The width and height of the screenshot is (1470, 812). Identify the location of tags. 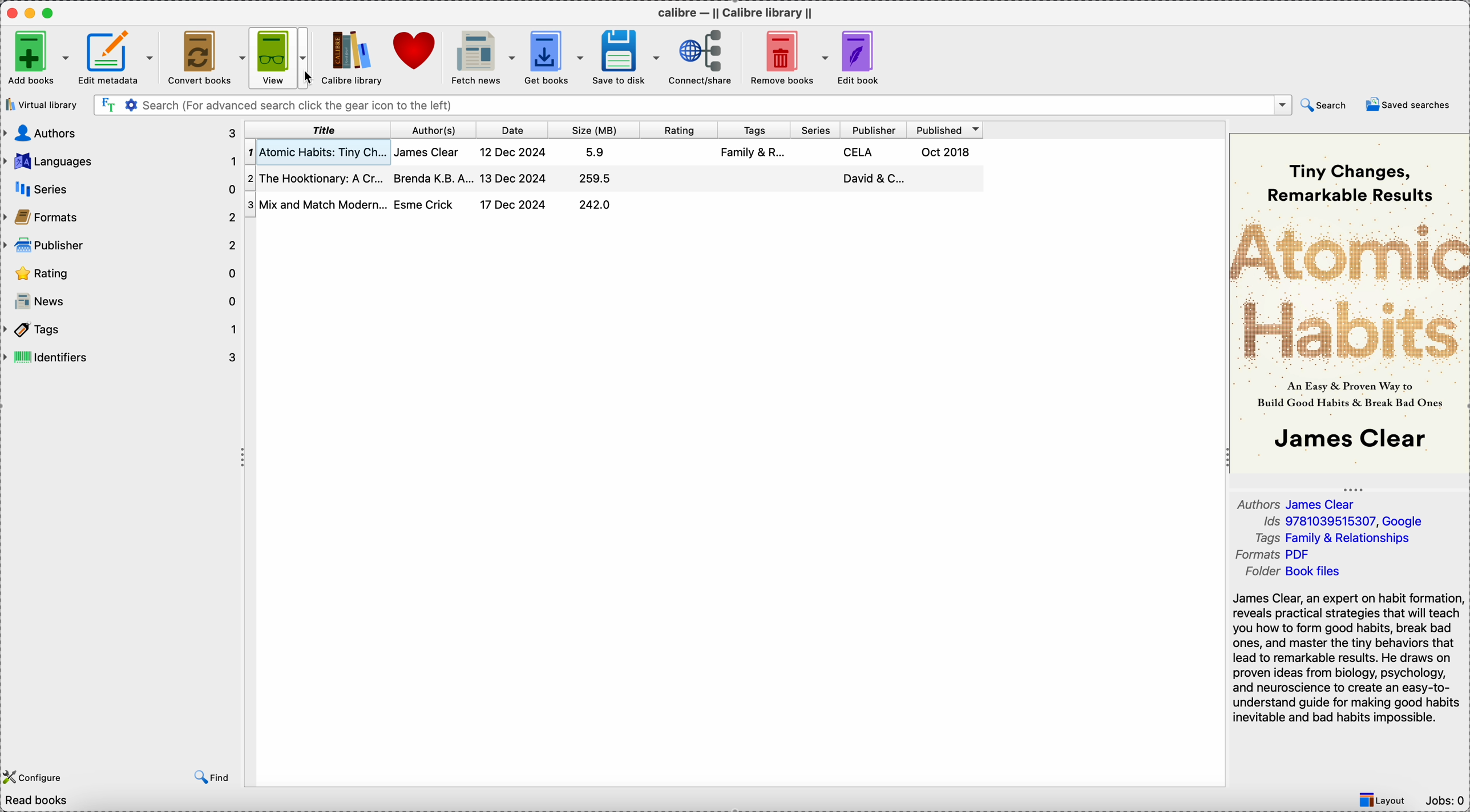
(755, 129).